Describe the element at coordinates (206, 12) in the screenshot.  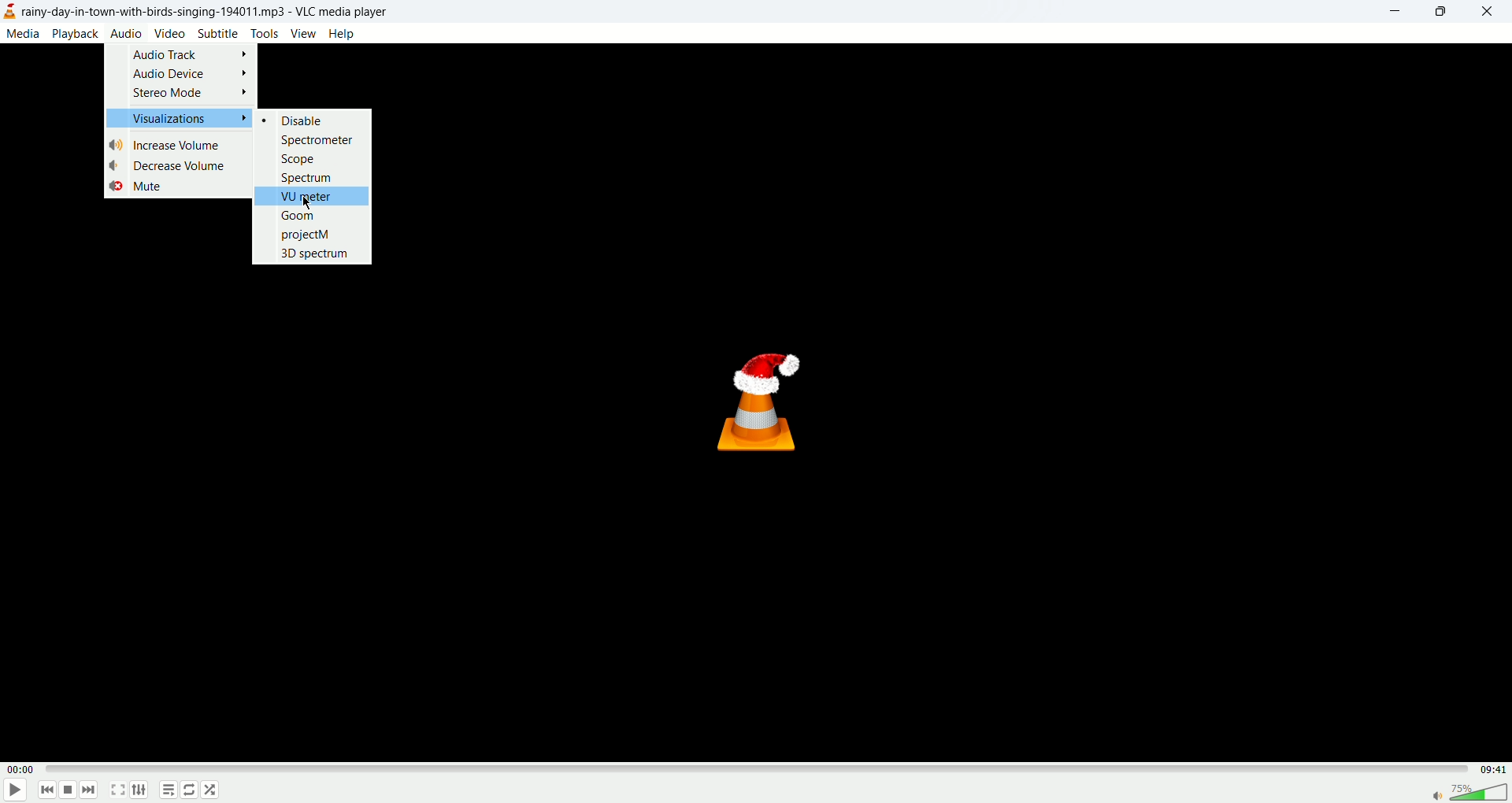
I see `title` at that location.